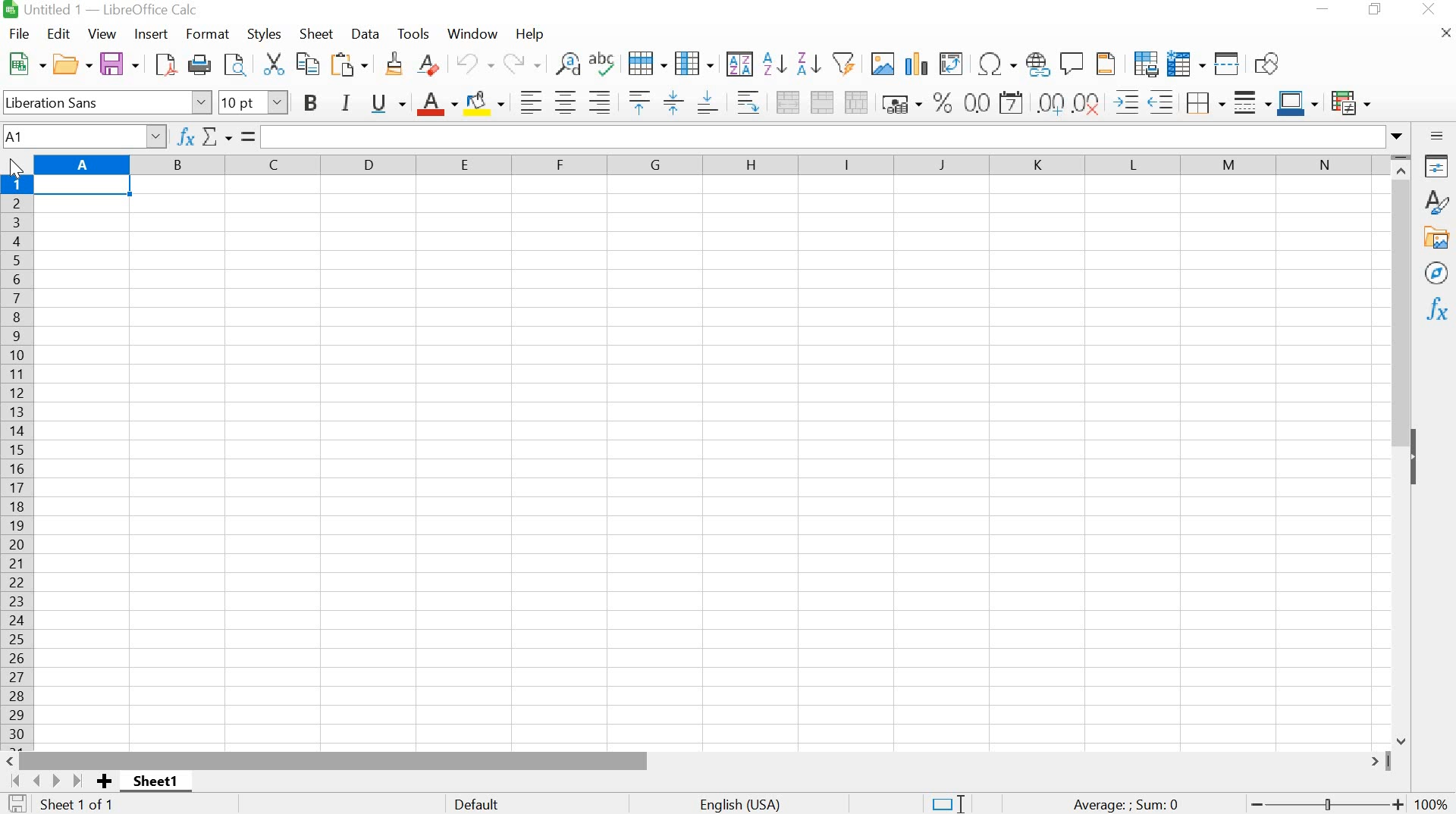 Image resolution: width=1456 pixels, height=814 pixels. I want to click on Align Top, so click(639, 101).